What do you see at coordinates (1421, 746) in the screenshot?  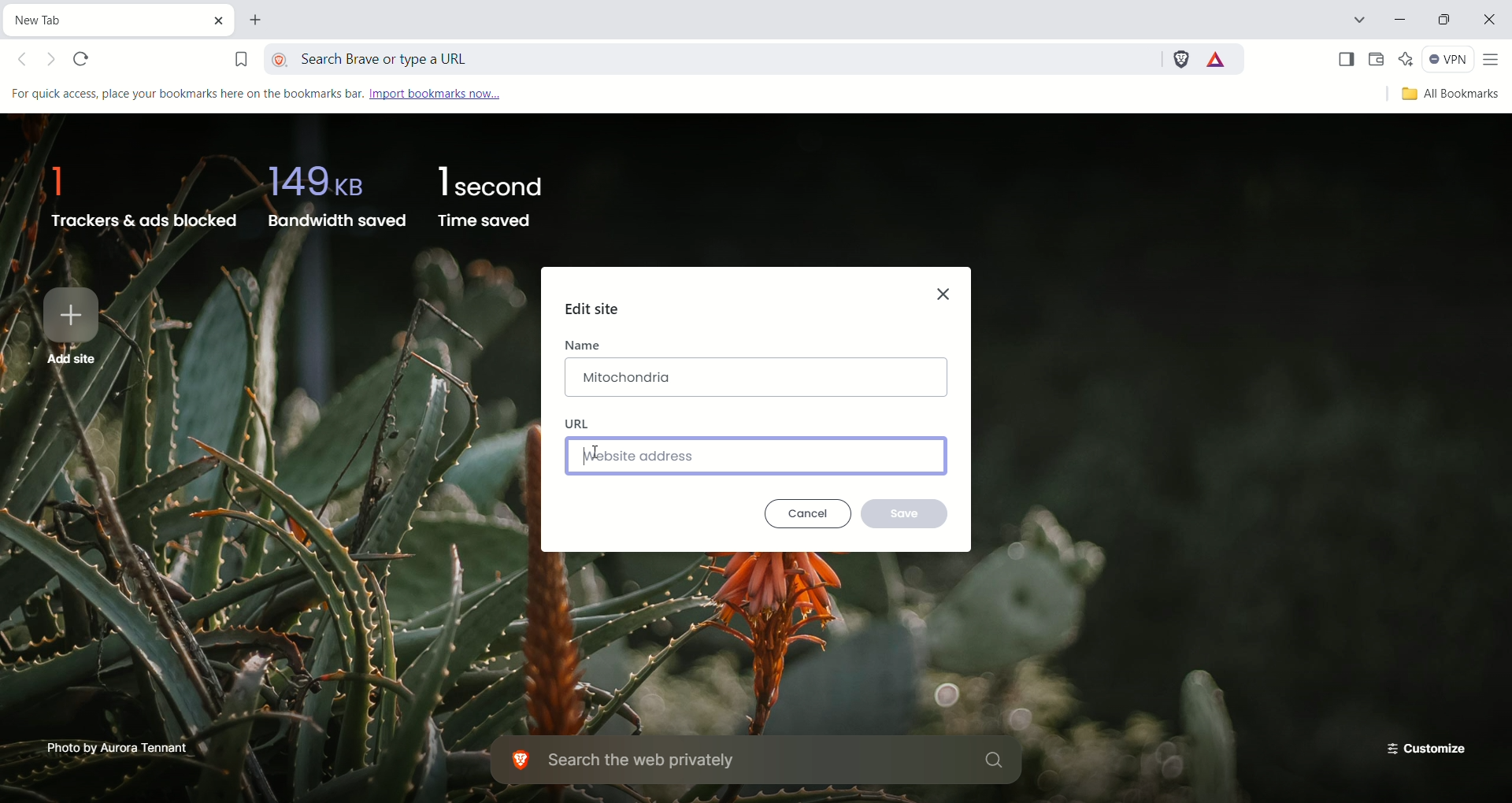 I see `customize` at bounding box center [1421, 746].